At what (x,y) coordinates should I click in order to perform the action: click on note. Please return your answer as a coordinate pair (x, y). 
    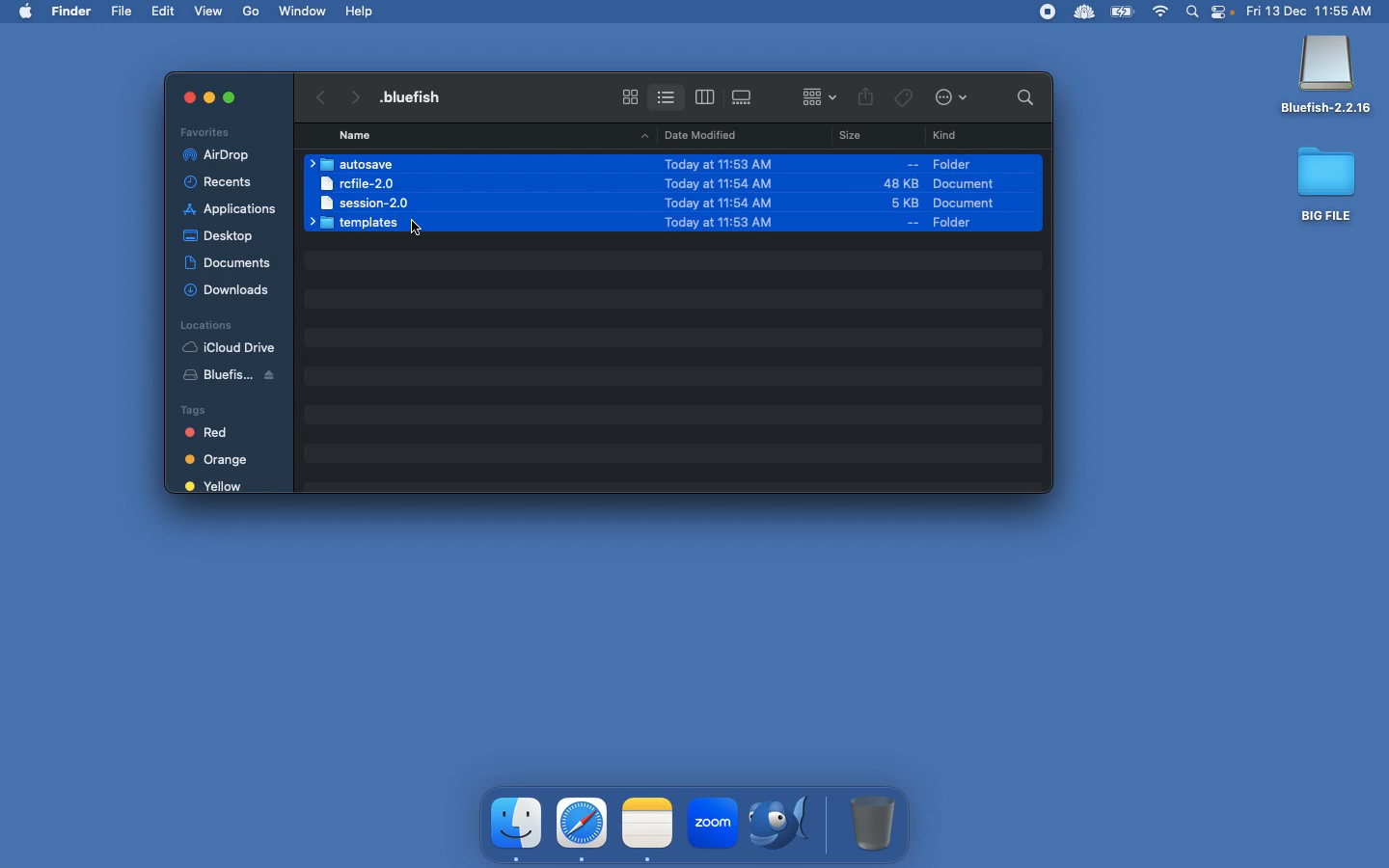
    Looking at the image, I should click on (647, 821).